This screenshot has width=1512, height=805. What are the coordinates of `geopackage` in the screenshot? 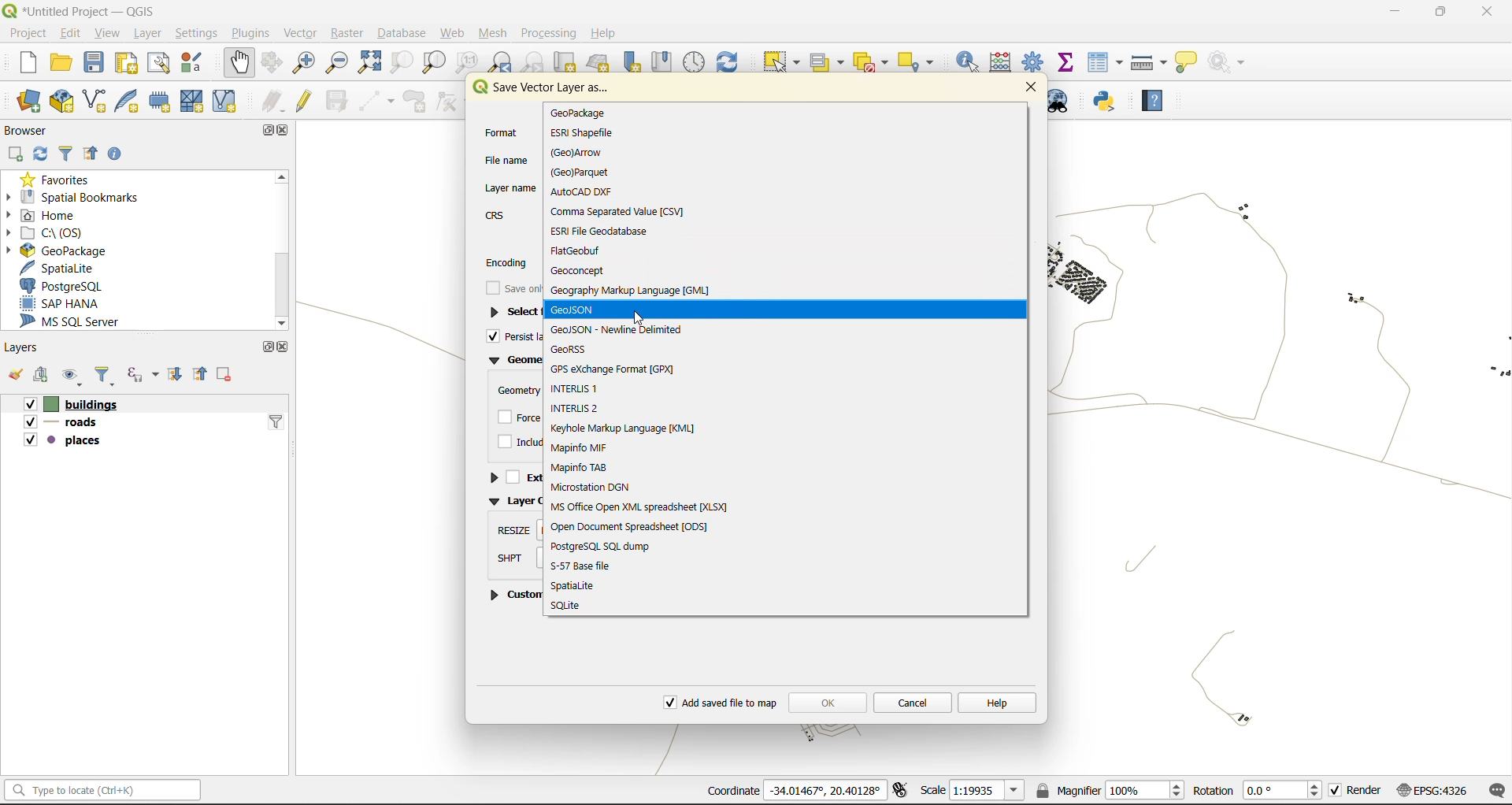 It's located at (579, 113).